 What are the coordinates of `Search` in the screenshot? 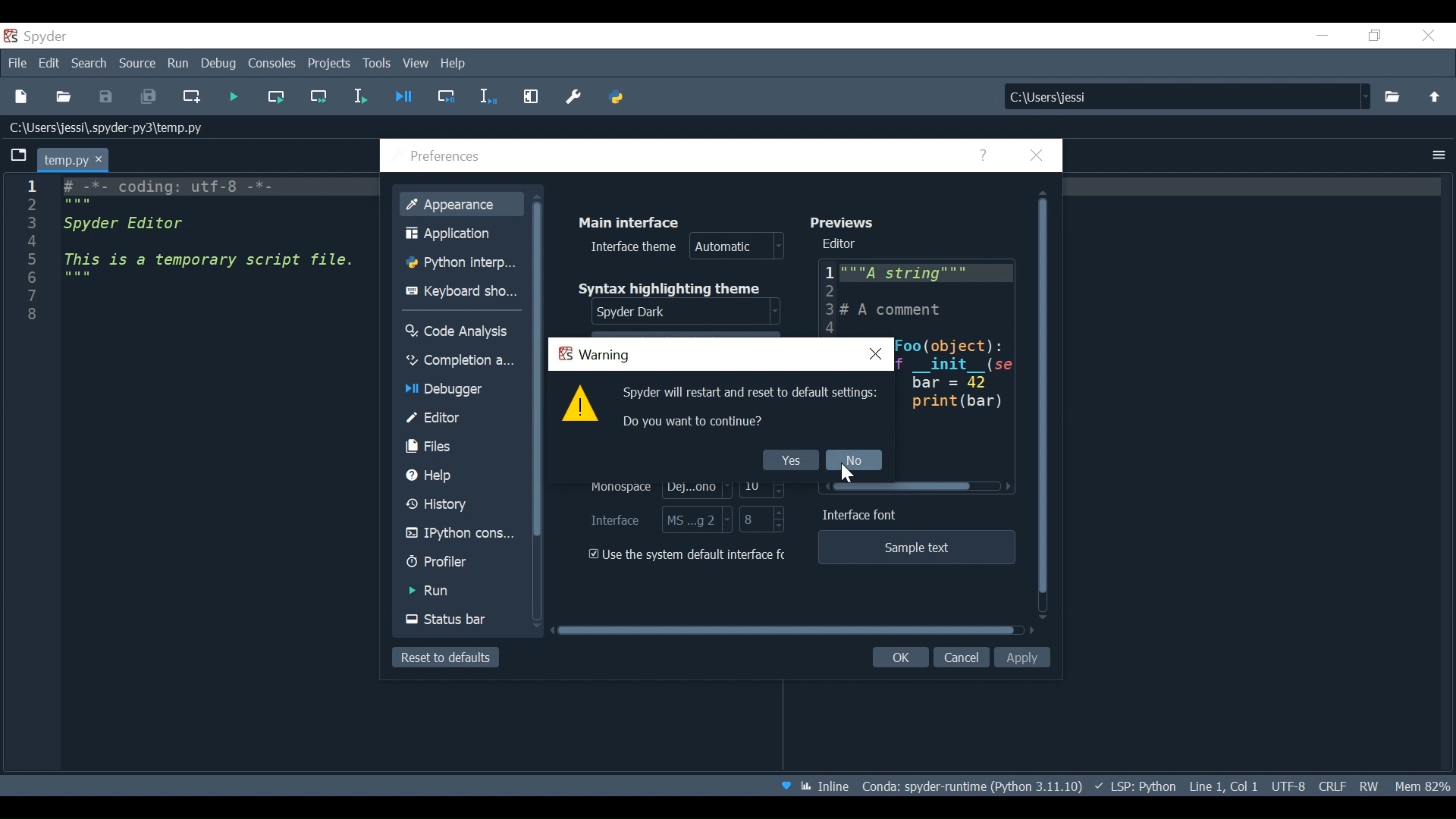 It's located at (90, 64).